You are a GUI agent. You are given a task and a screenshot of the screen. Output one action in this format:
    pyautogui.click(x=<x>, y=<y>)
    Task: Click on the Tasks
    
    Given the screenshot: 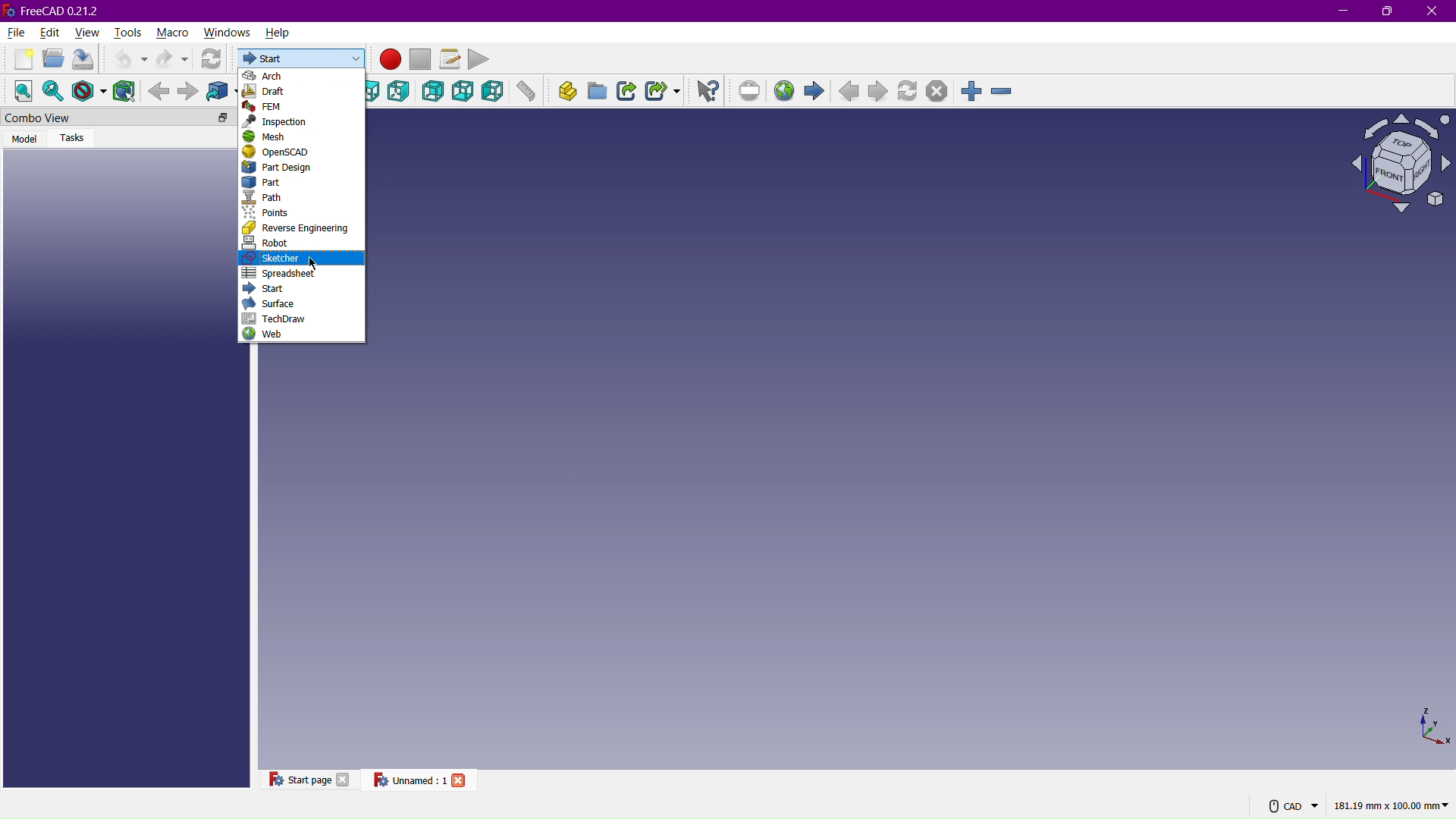 What is the action you would take?
    pyautogui.click(x=74, y=140)
    